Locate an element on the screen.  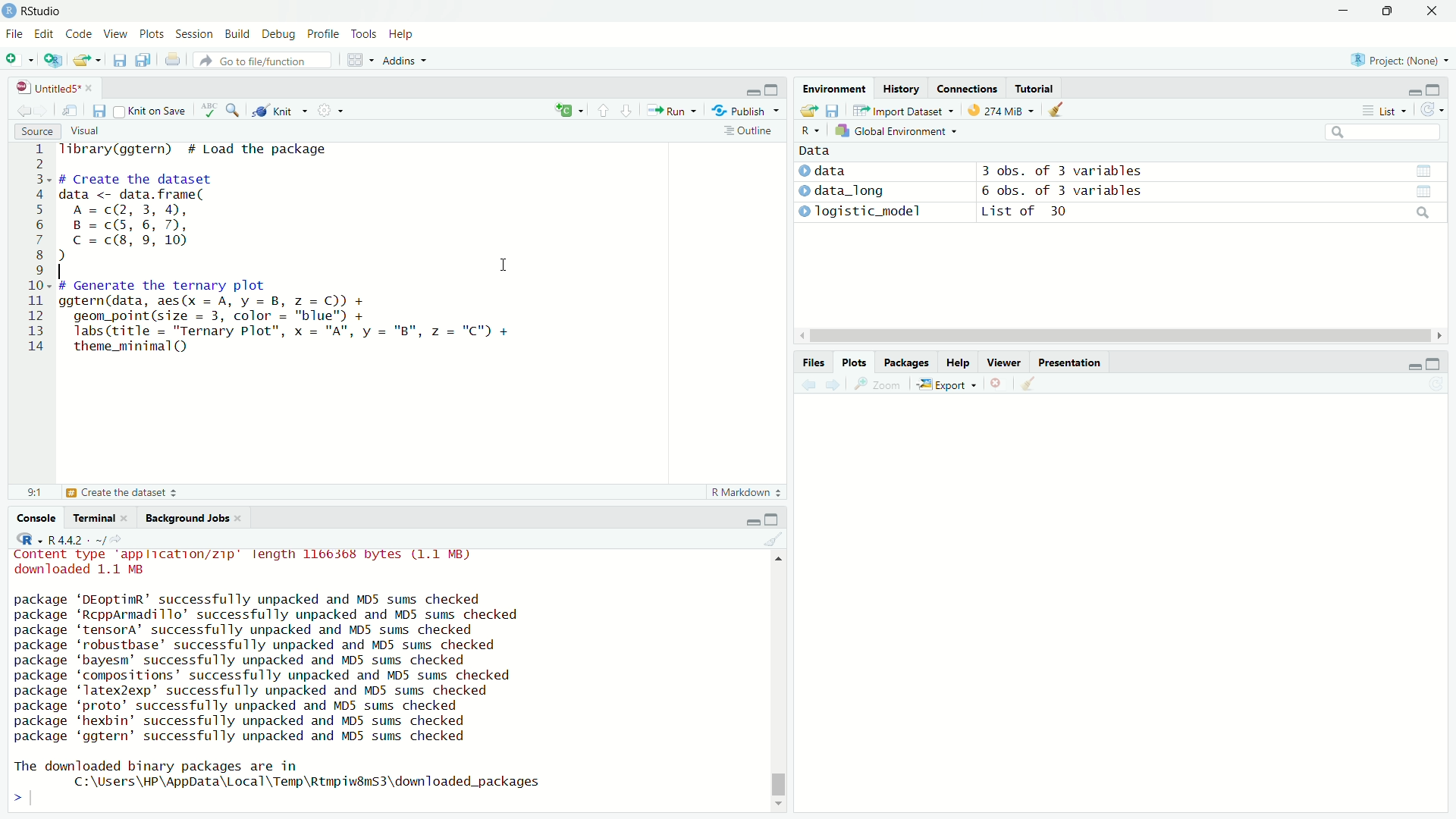
clear is located at coordinates (1065, 112).